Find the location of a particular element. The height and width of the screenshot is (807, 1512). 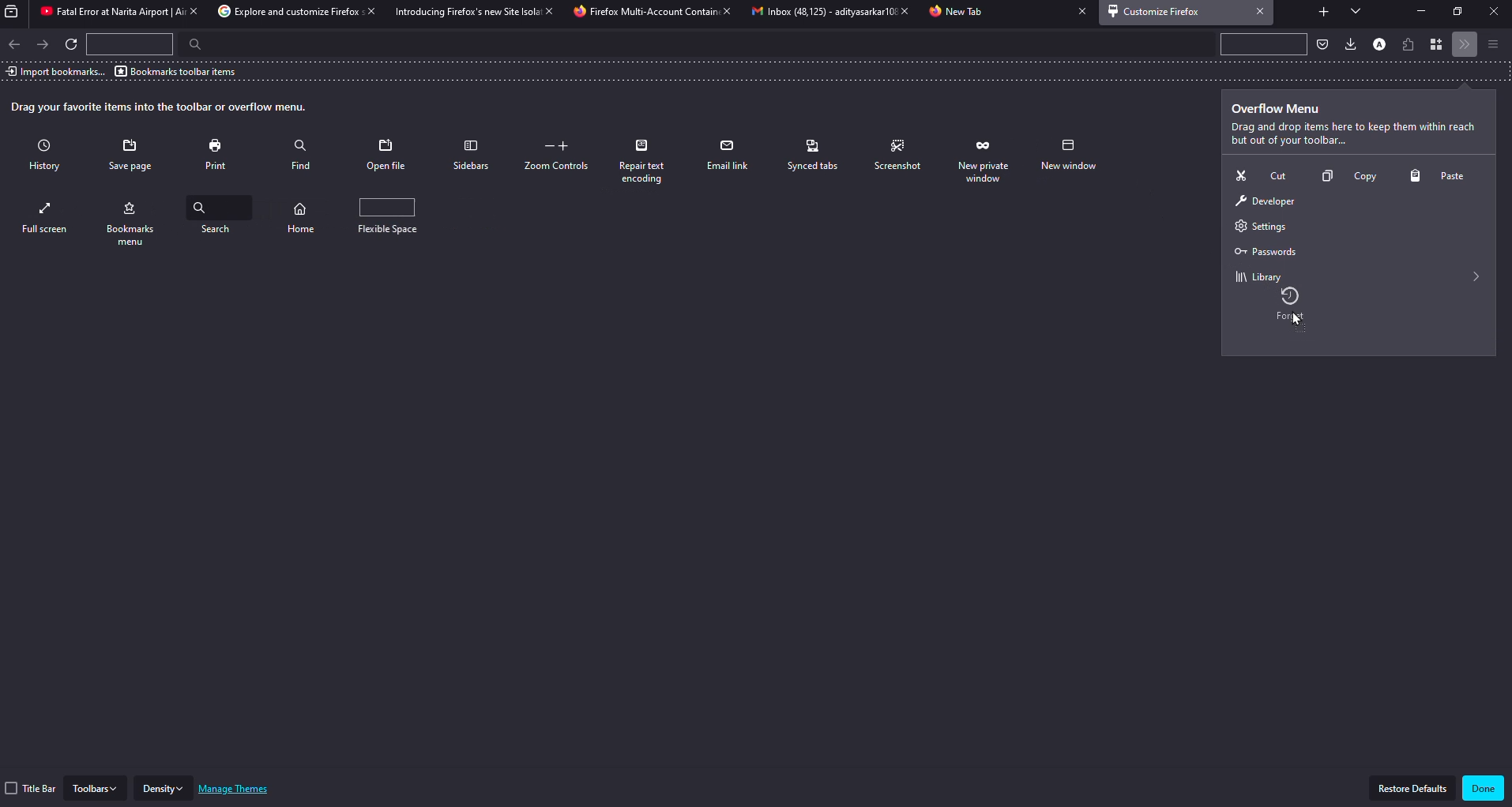

maximize is located at coordinates (1458, 12).